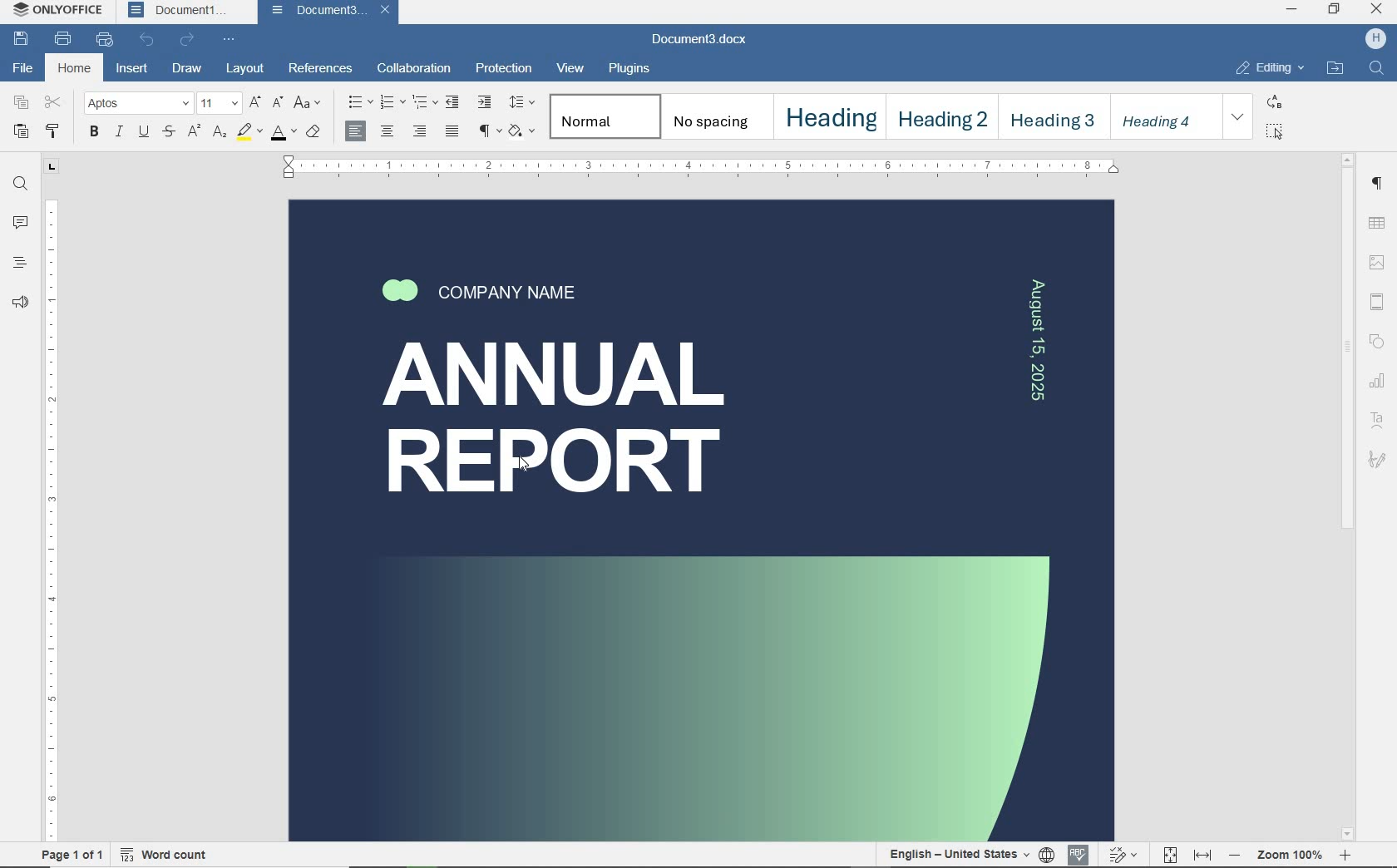  Describe the element at coordinates (522, 463) in the screenshot. I see `Cursor` at that location.